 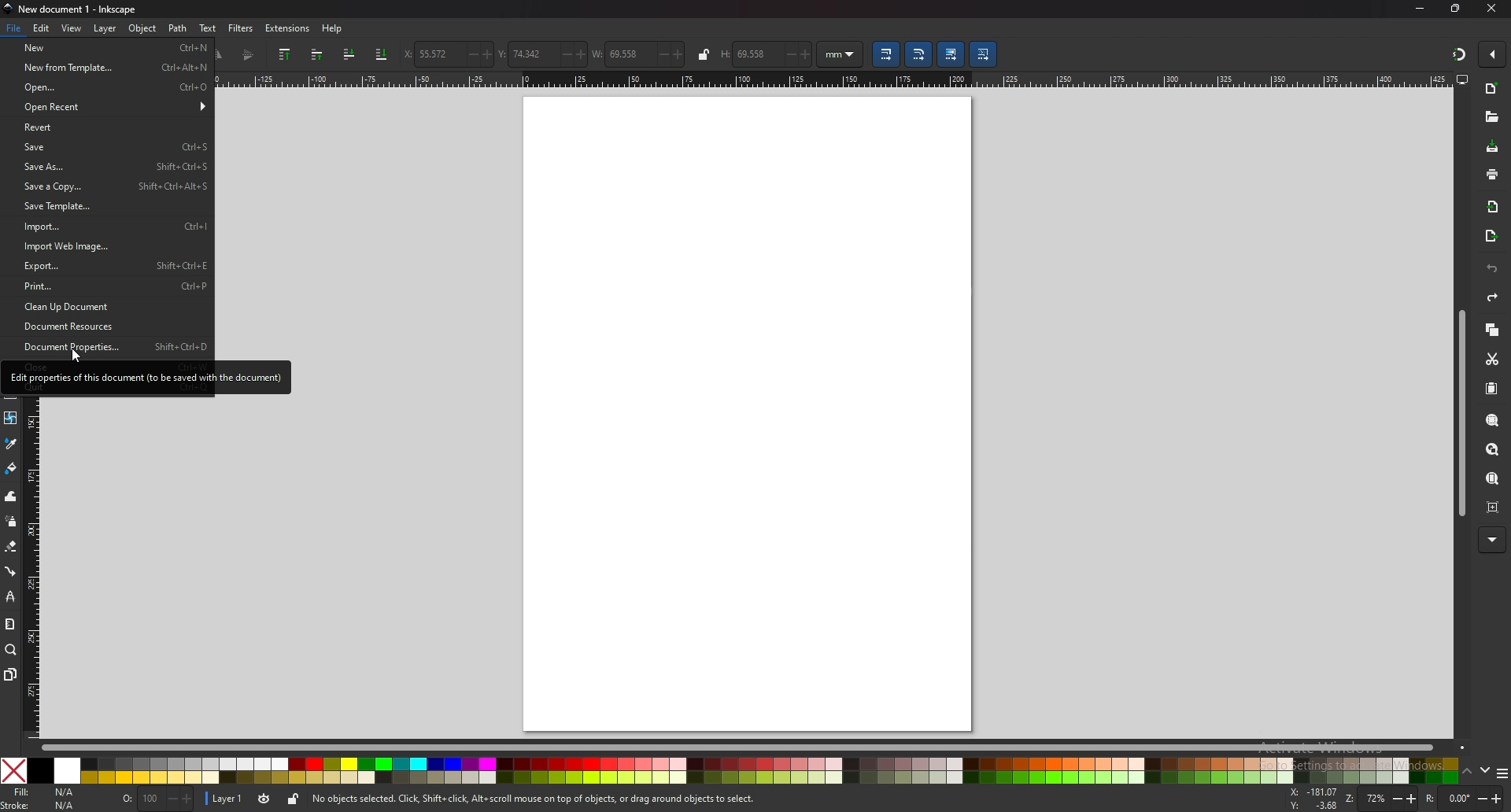 What do you see at coordinates (1491, 236) in the screenshot?
I see `export` at bounding box center [1491, 236].